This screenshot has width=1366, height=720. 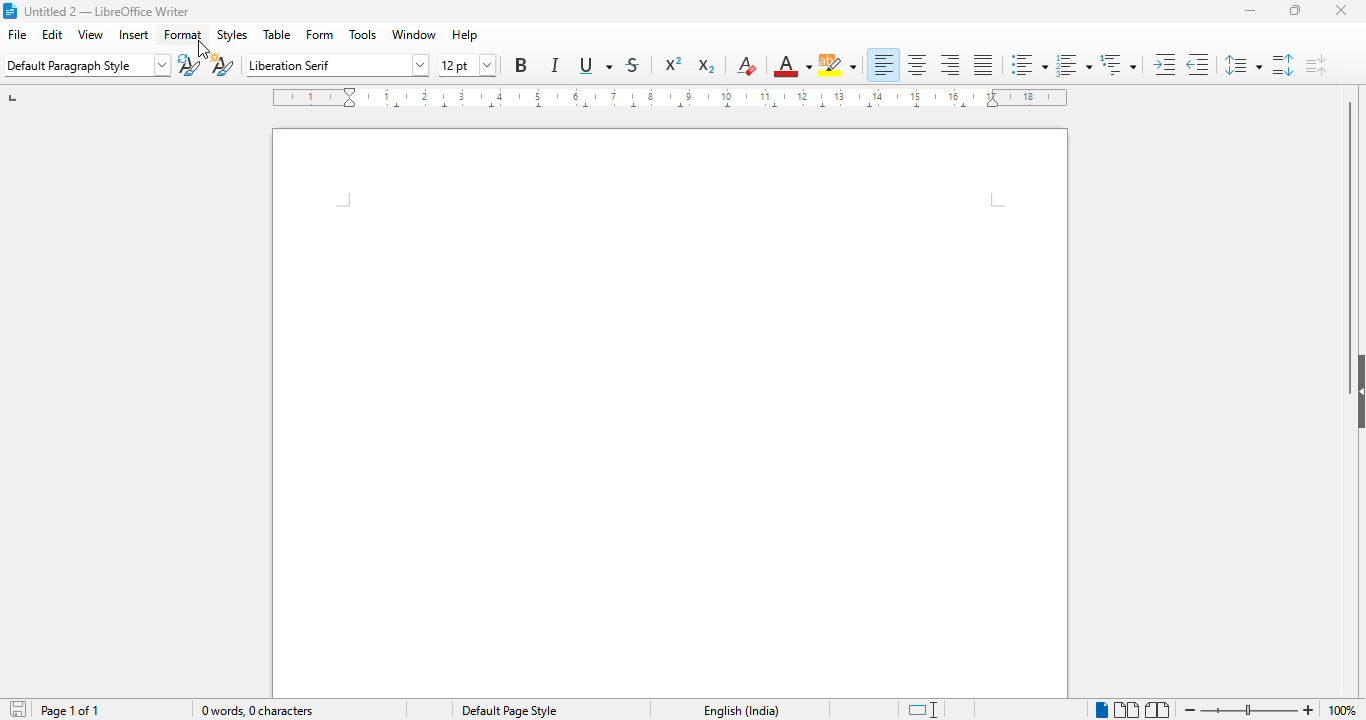 I want to click on click to save document, so click(x=19, y=708).